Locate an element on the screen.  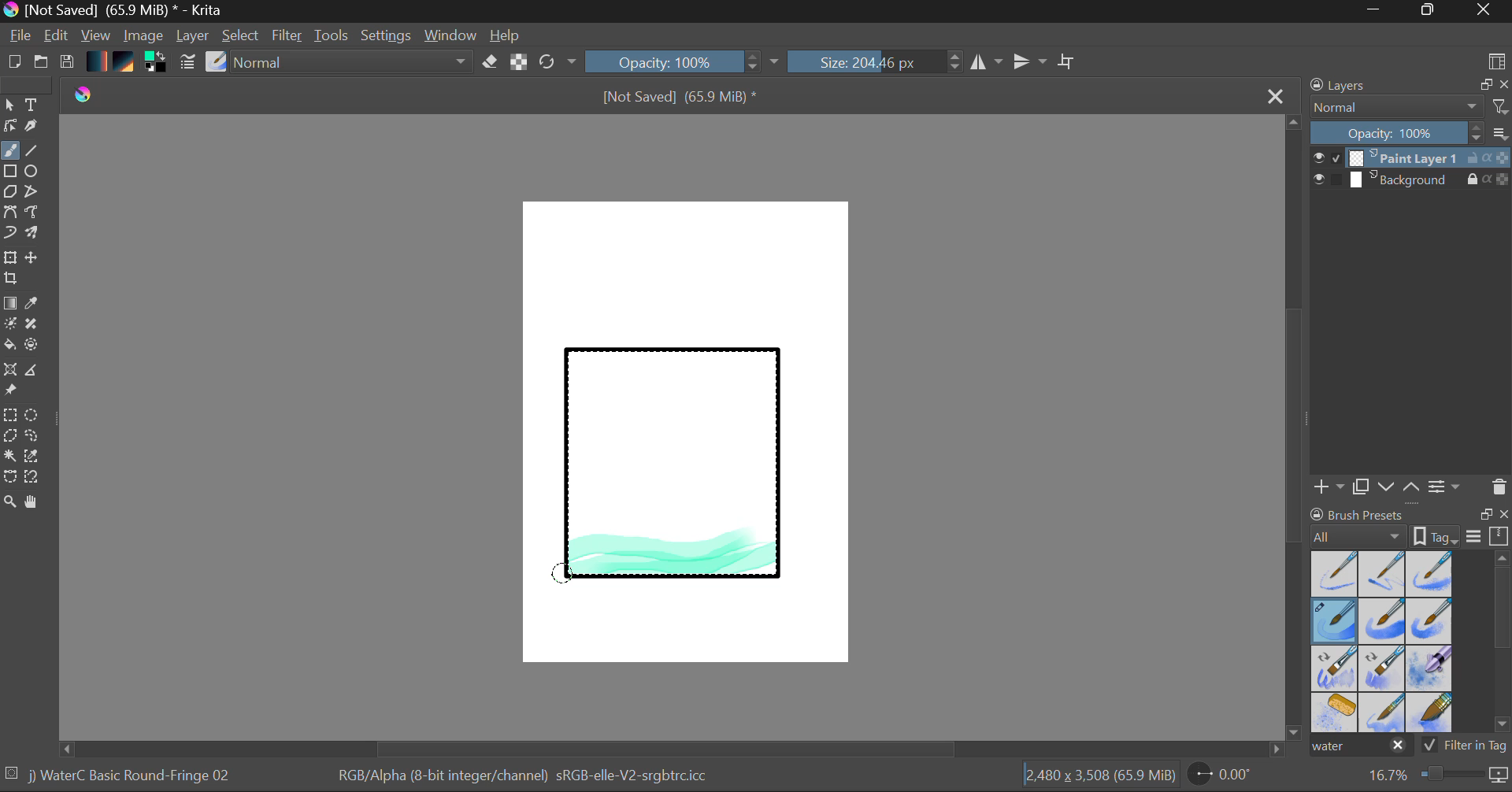
Rectangle is located at coordinates (11, 172).